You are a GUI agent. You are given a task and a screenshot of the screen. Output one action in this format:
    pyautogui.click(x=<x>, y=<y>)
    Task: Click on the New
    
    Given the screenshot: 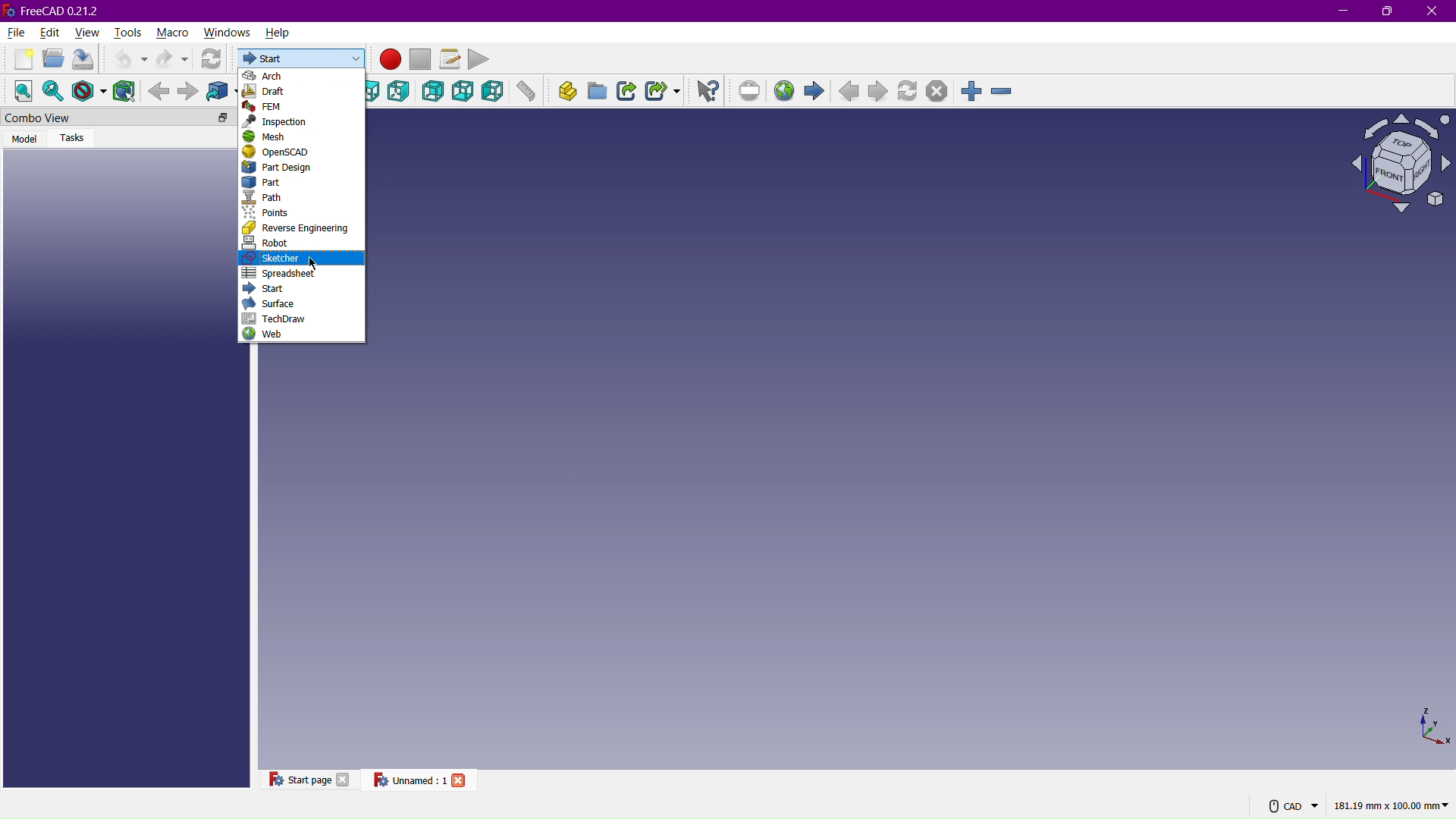 What is the action you would take?
    pyautogui.click(x=21, y=58)
    